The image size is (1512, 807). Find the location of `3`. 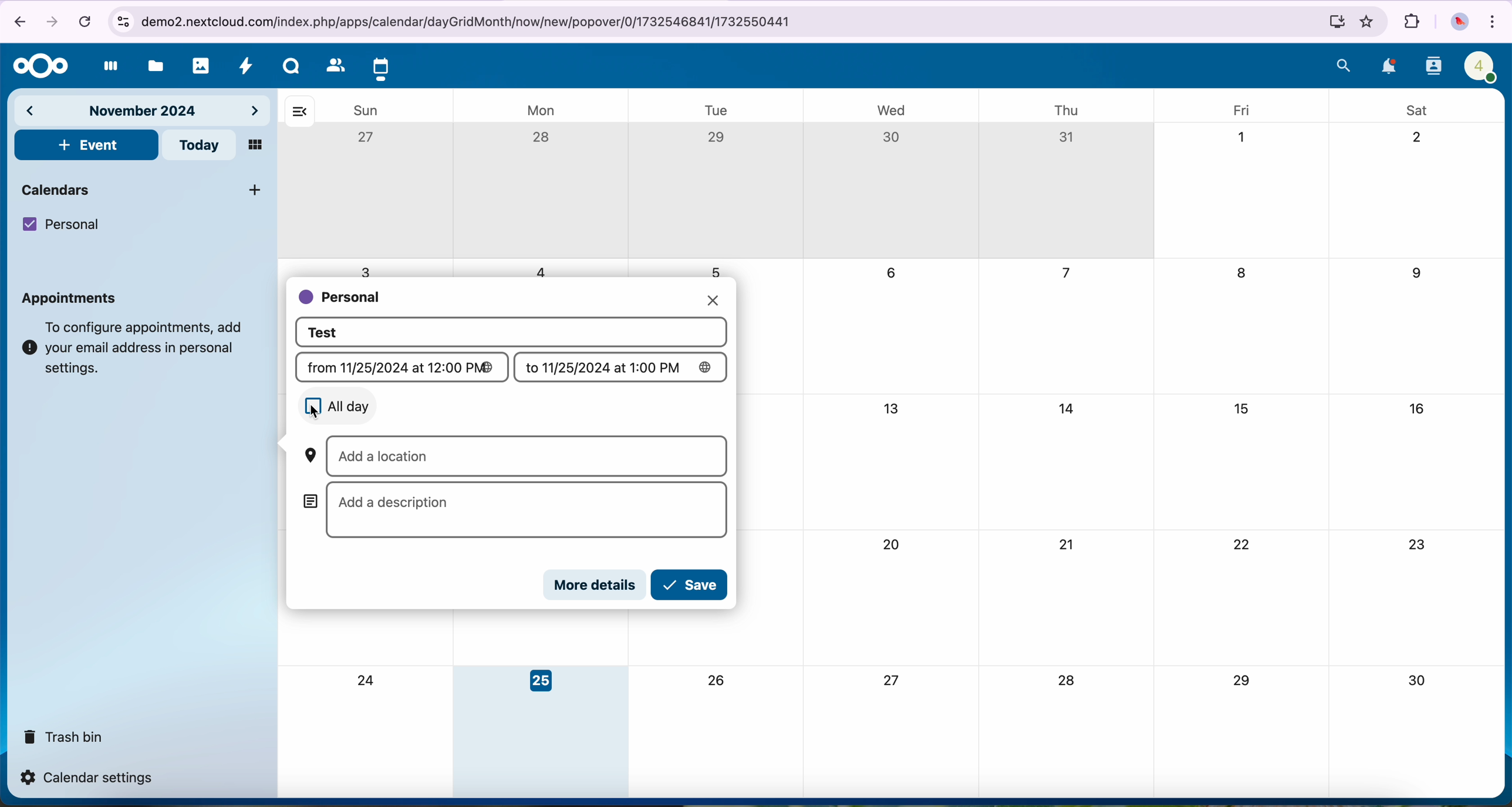

3 is located at coordinates (367, 268).